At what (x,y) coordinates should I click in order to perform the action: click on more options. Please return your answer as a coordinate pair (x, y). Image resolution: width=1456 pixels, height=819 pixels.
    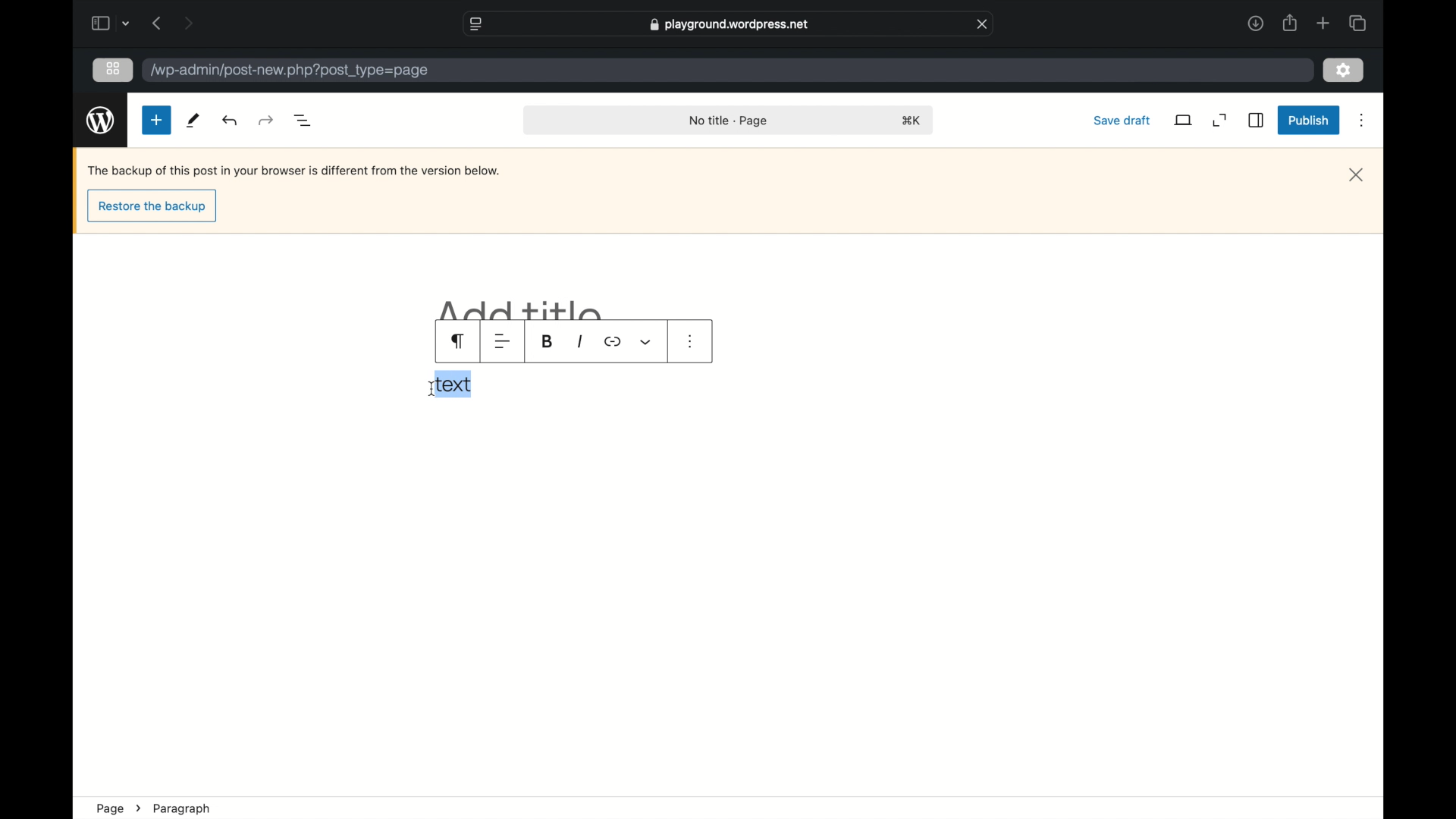
    Looking at the image, I should click on (1363, 121).